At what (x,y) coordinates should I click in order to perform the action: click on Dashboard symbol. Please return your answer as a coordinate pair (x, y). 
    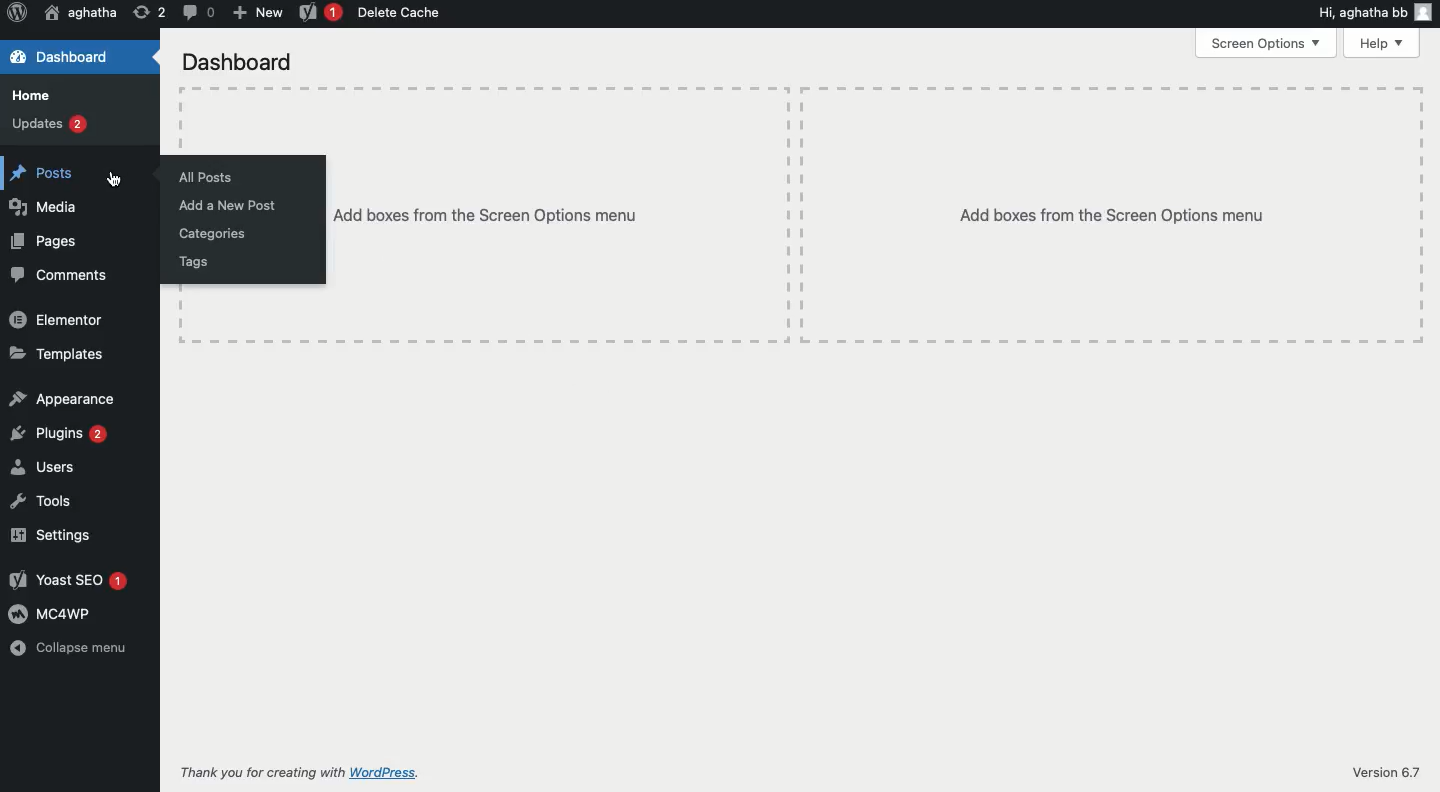
    Looking at the image, I should click on (18, 58).